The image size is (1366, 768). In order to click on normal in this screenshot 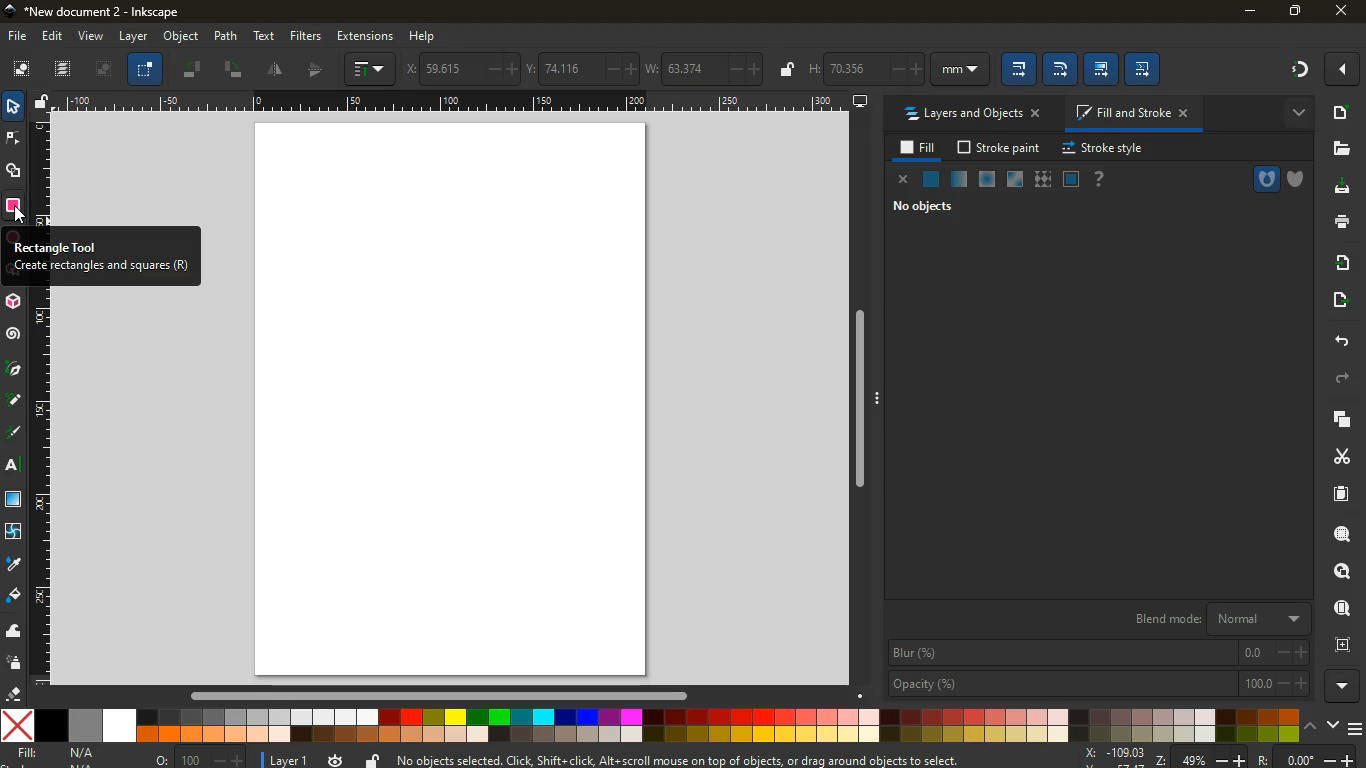, I will do `click(930, 179)`.